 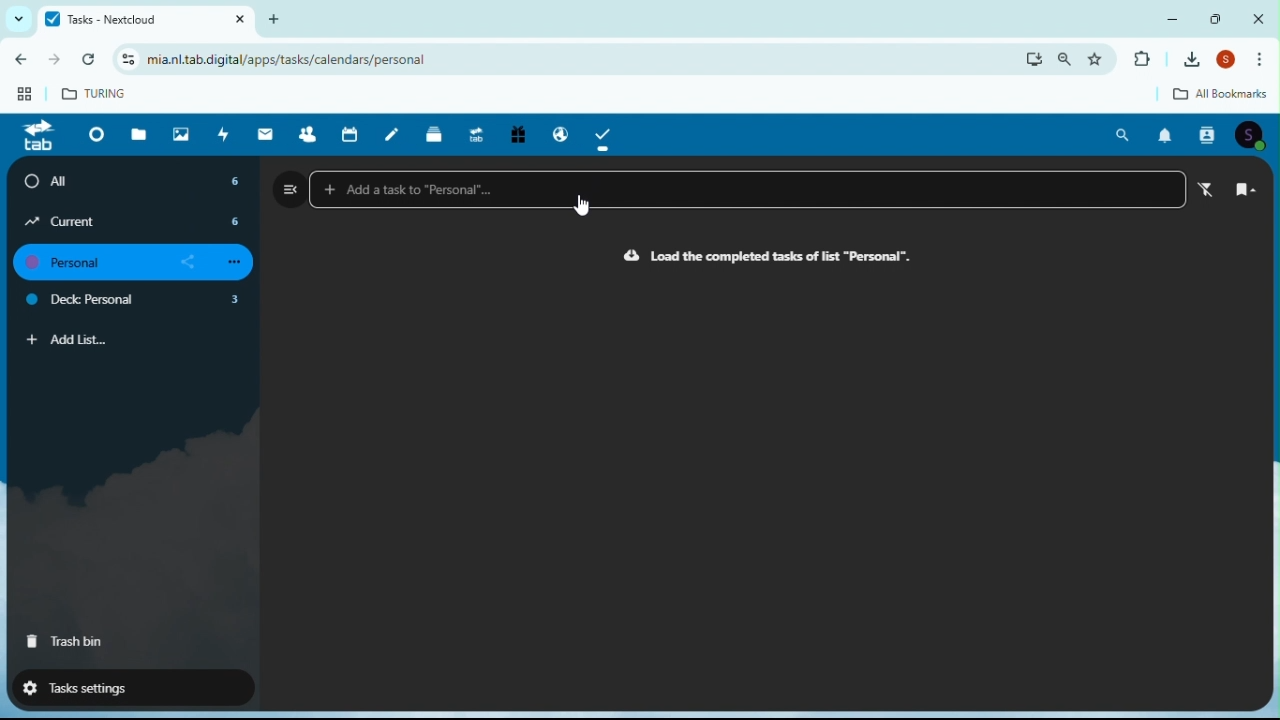 I want to click on favorites, so click(x=1101, y=58).